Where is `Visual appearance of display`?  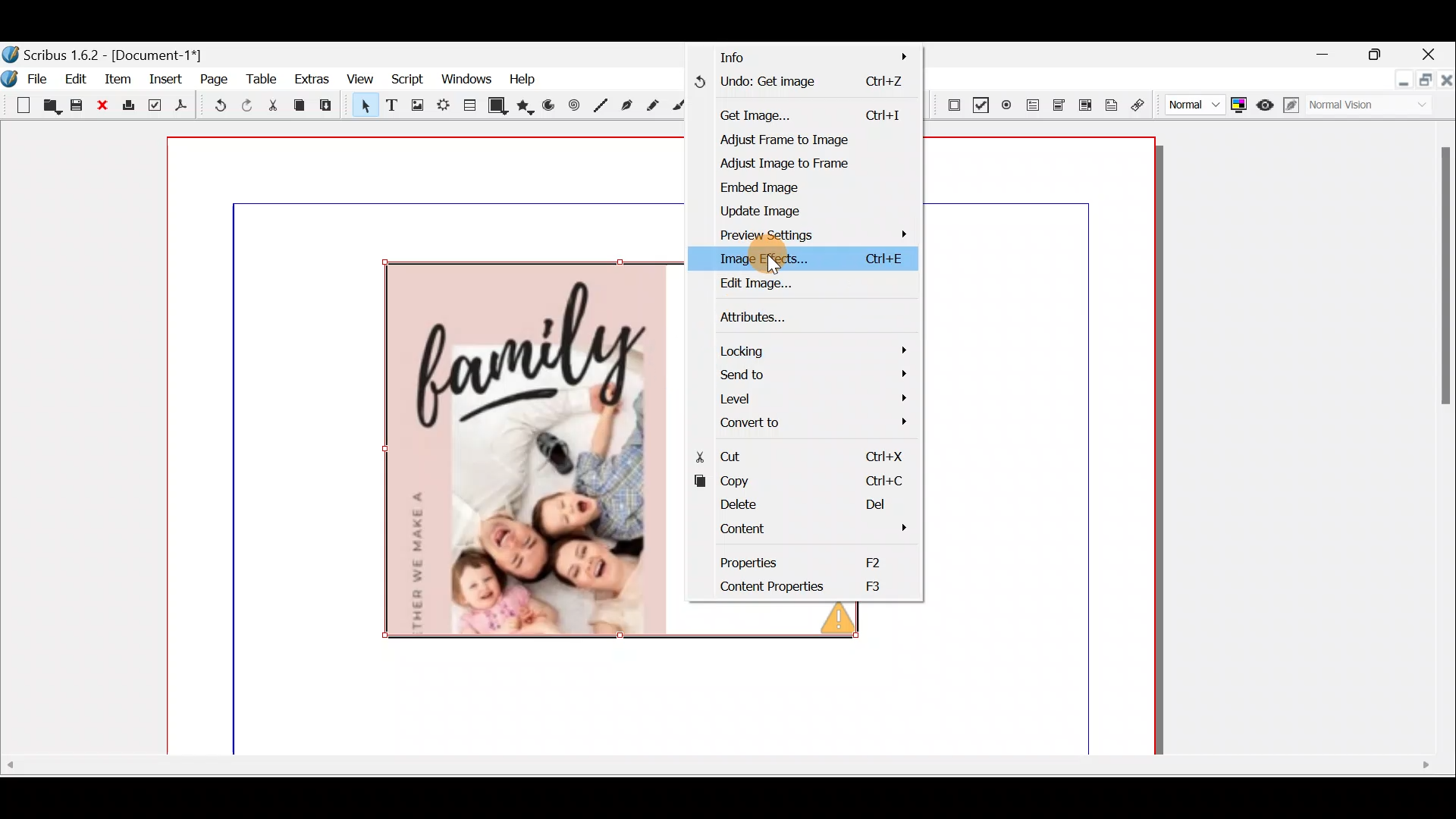
Visual appearance of display is located at coordinates (1376, 106).